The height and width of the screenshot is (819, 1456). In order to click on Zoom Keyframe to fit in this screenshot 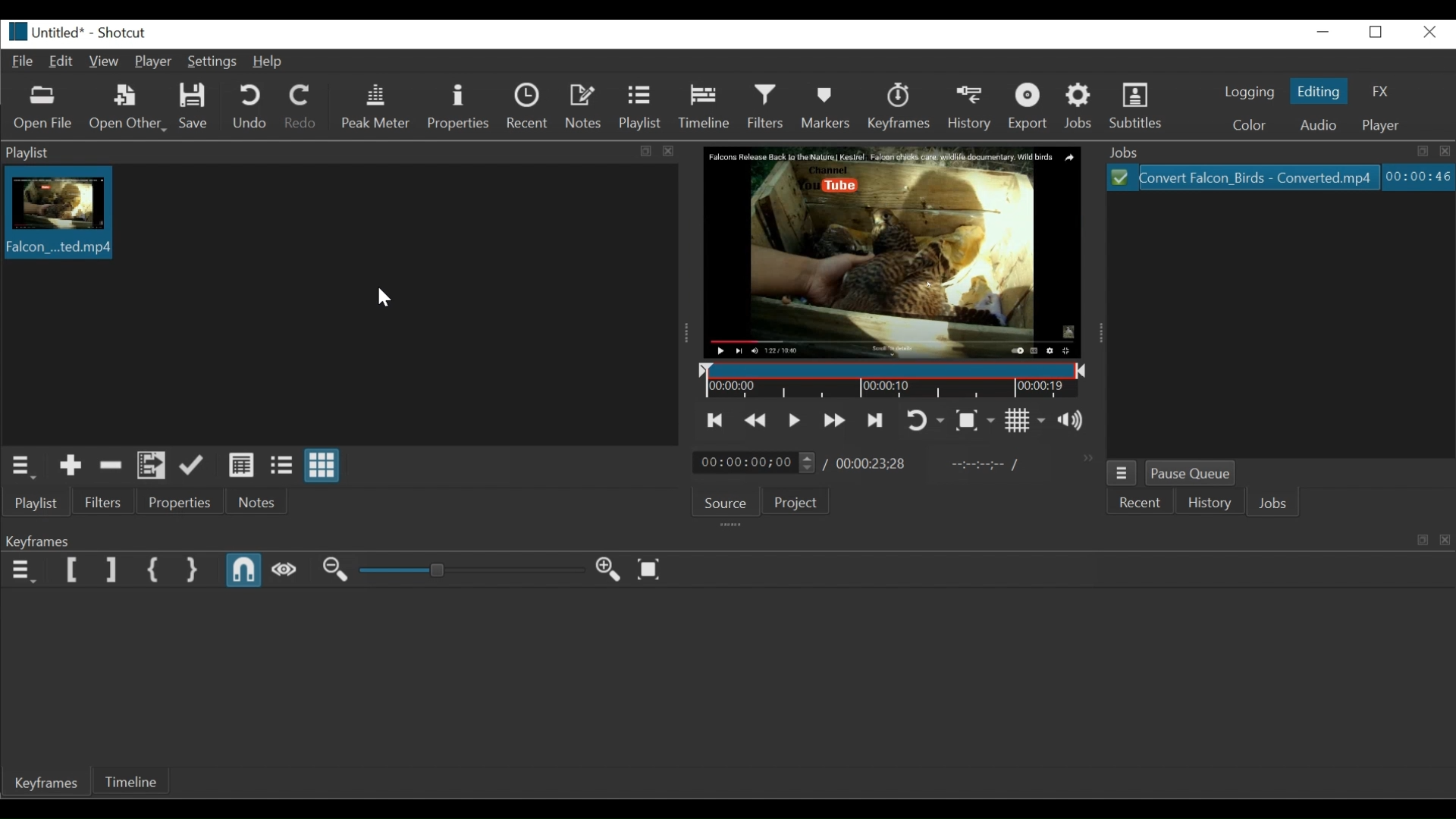, I will do `click(648, 570)`.